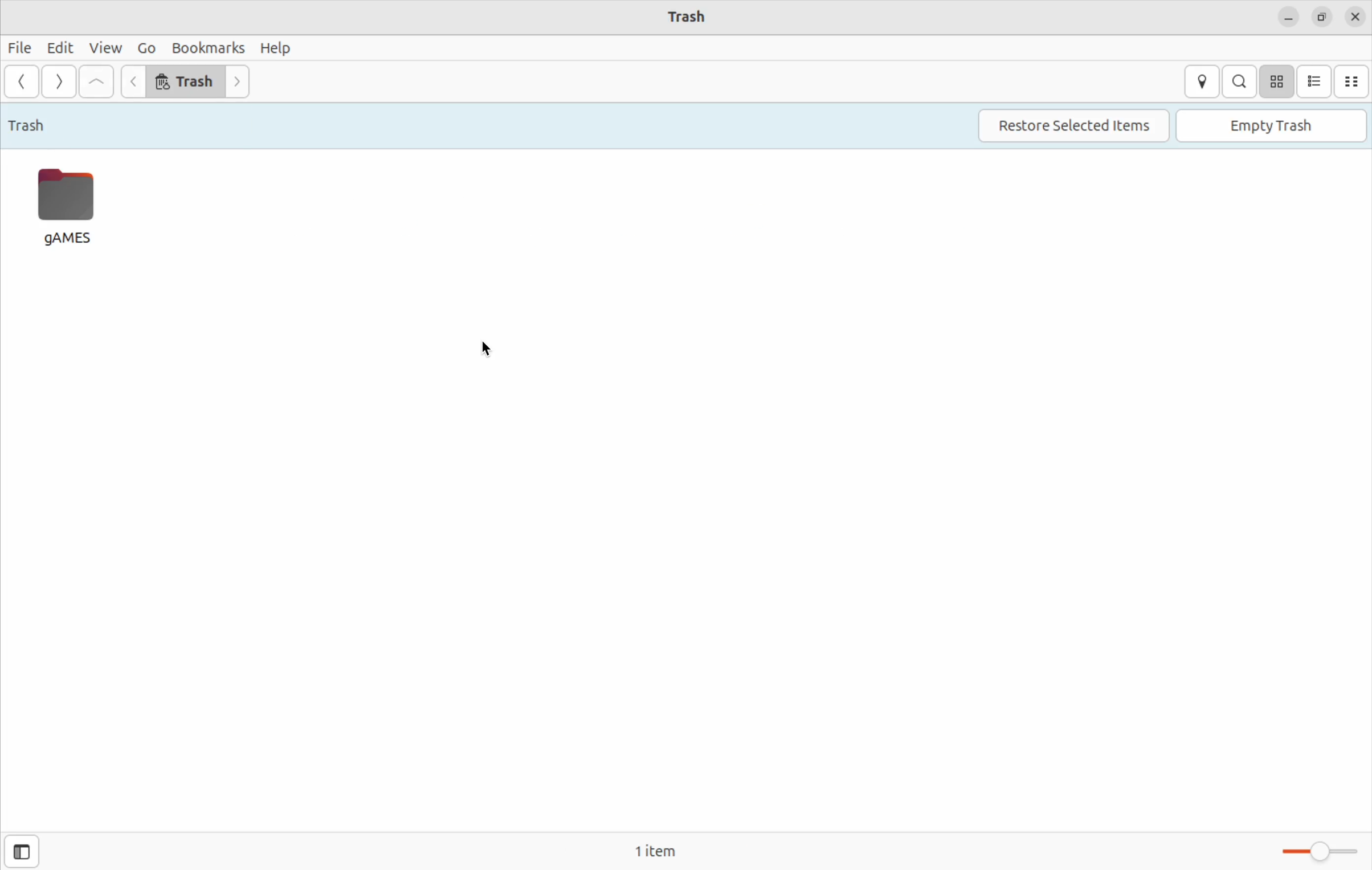 The width and height of the screenshot is (1372, 870). What do you see at coordinates (667, 848) in the screenshot?
I see `1 item` at bounding box center [667, 848].